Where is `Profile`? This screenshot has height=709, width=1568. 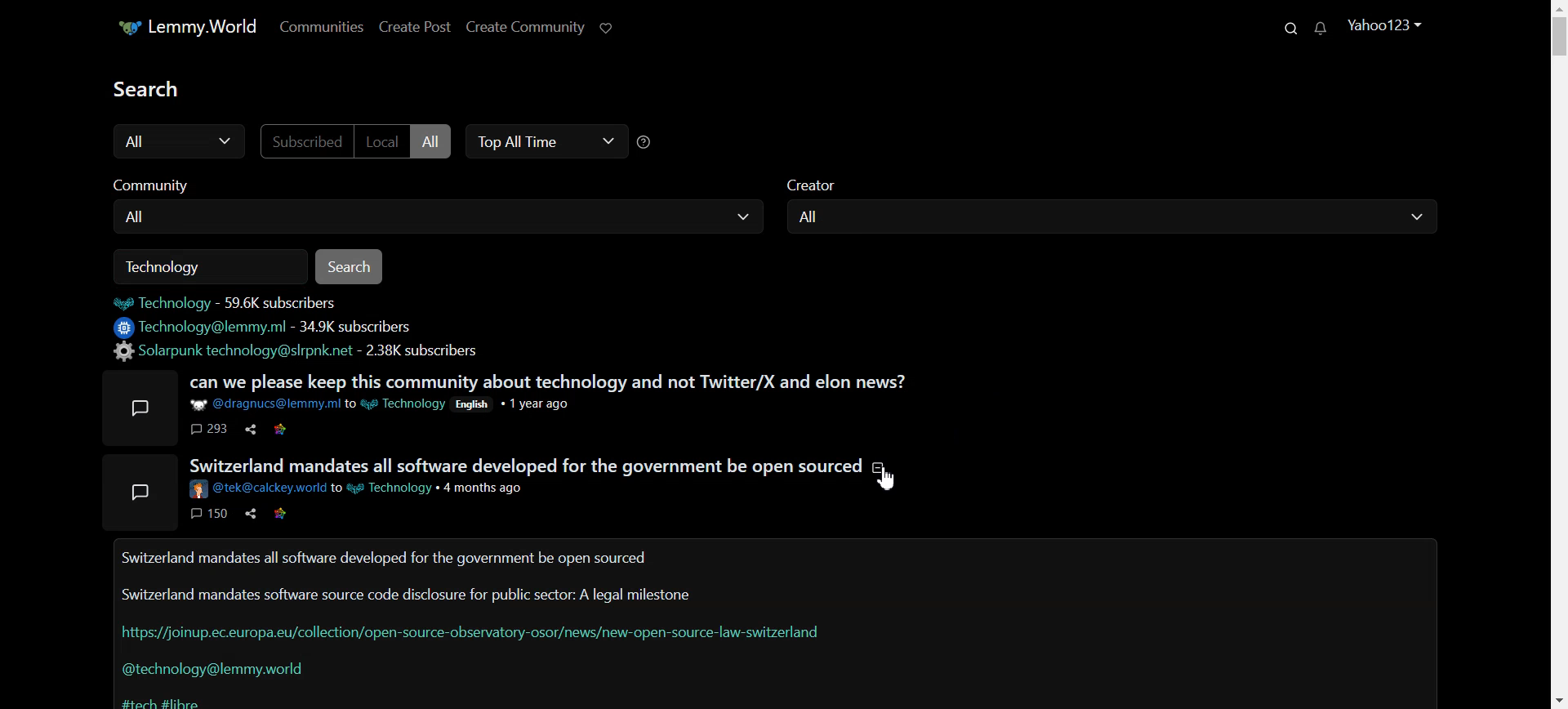
Profile is located at coordinates (1387, 24).